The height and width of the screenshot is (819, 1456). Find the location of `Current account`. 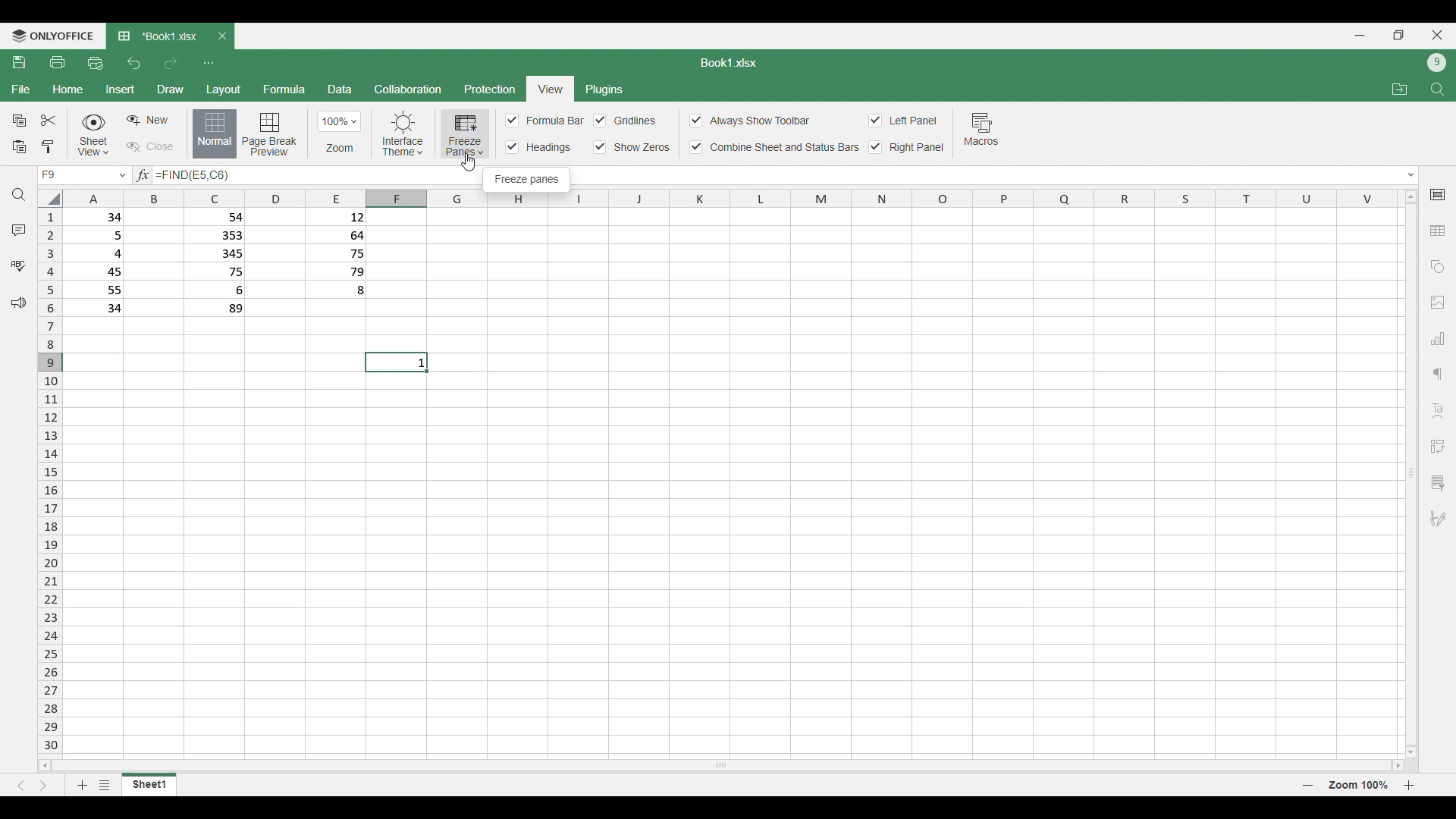

Current account is located at coordinates (1437, 63).